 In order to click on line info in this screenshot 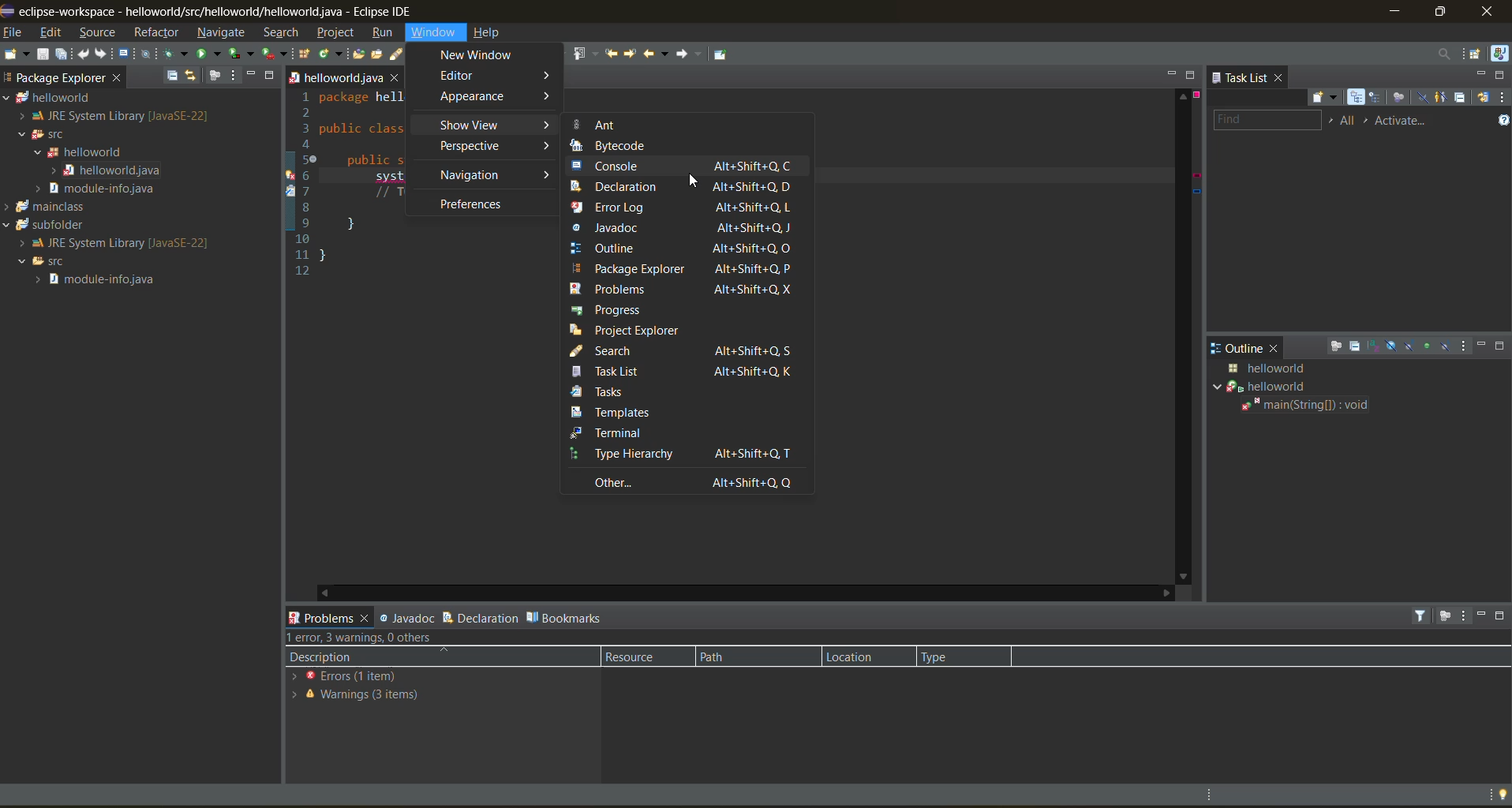, I will do `click(283, 189)`.